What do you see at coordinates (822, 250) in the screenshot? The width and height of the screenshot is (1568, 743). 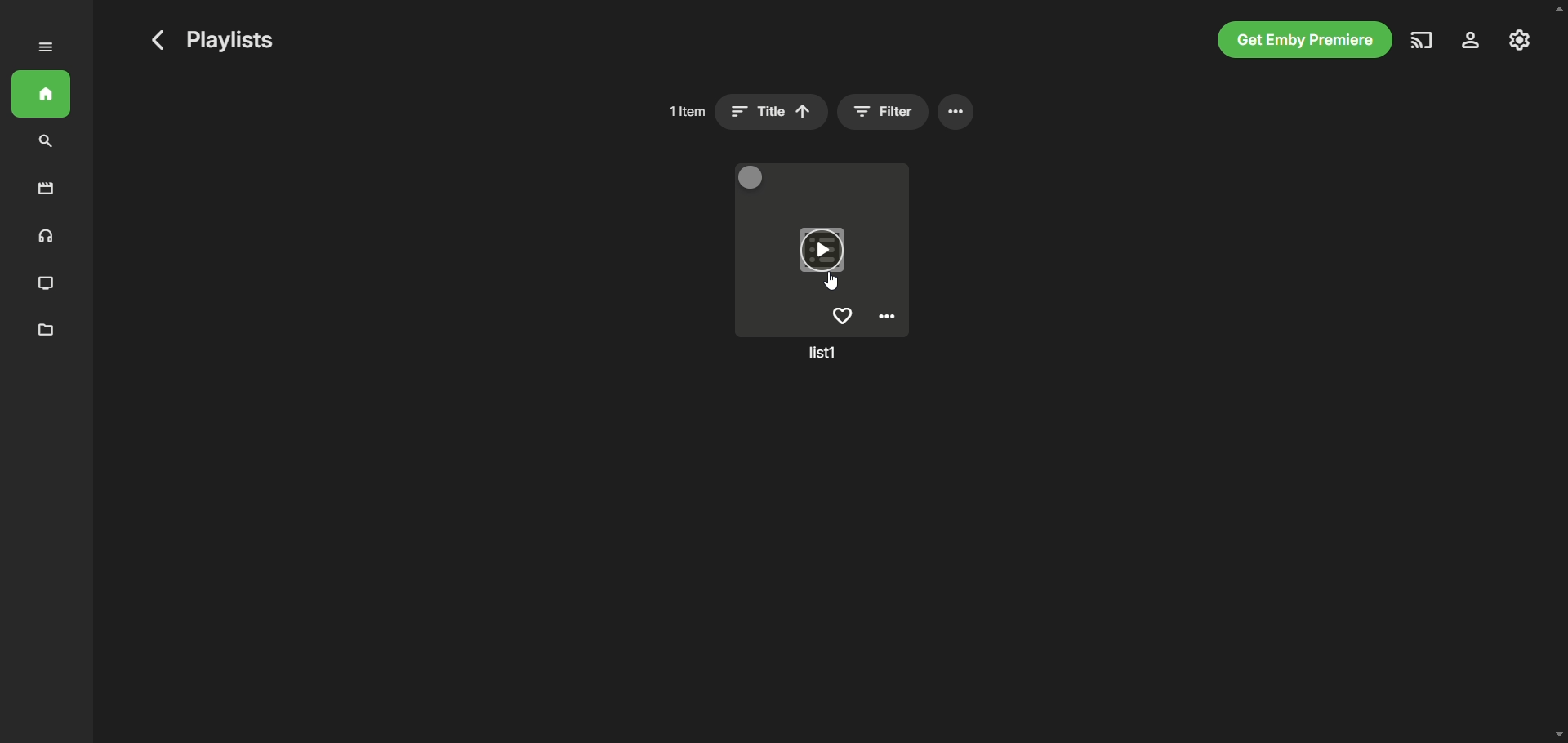 I see `Play button` at bounding box center [822, 250].